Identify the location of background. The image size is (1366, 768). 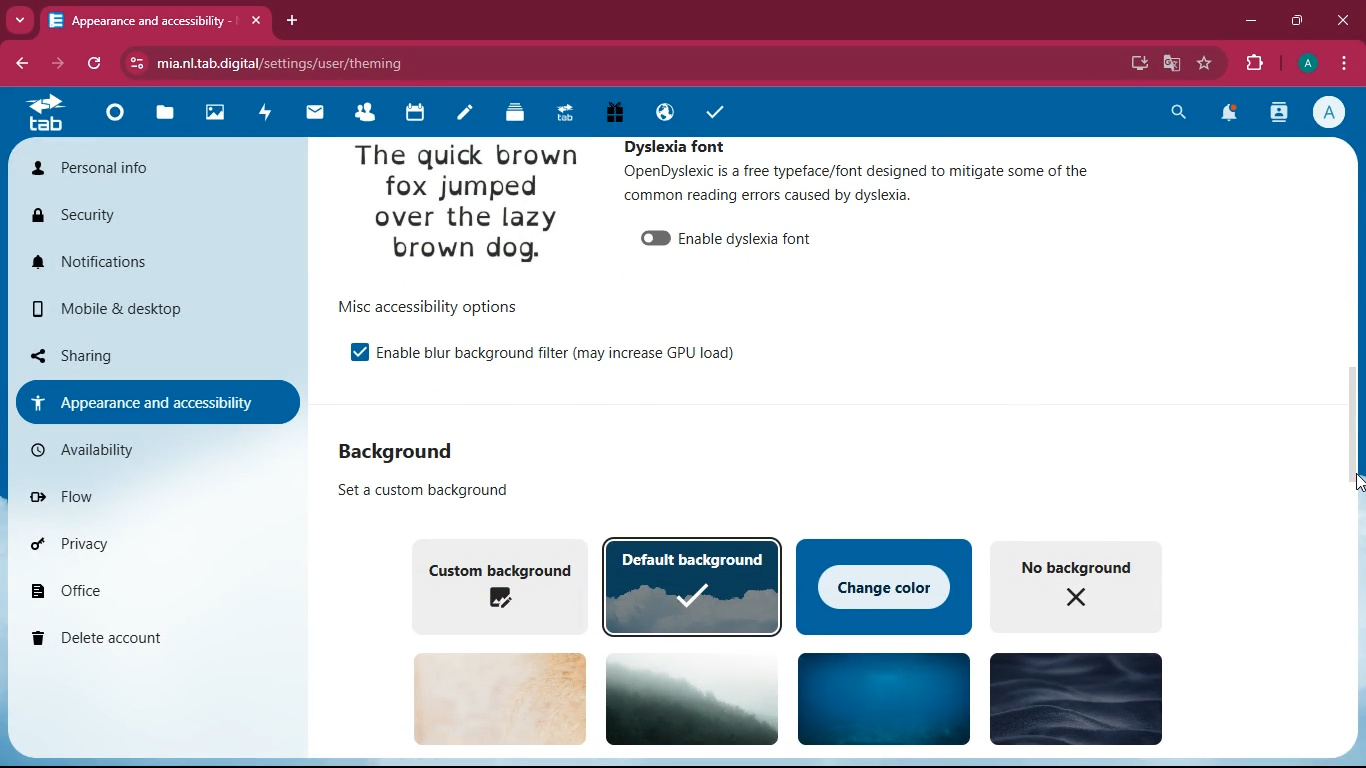
(884, 697).